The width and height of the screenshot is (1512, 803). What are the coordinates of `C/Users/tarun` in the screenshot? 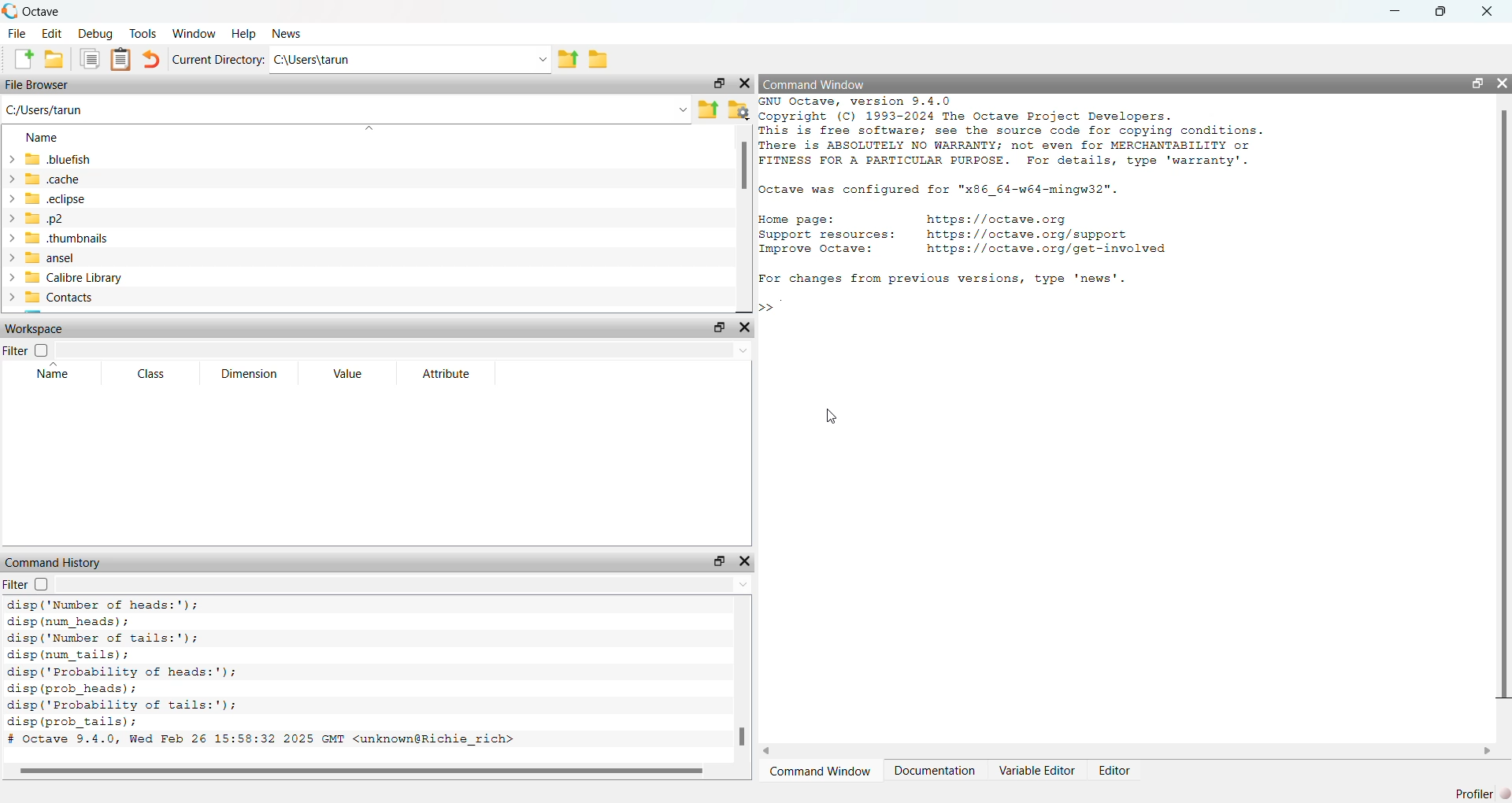 It's located at (49, 109).